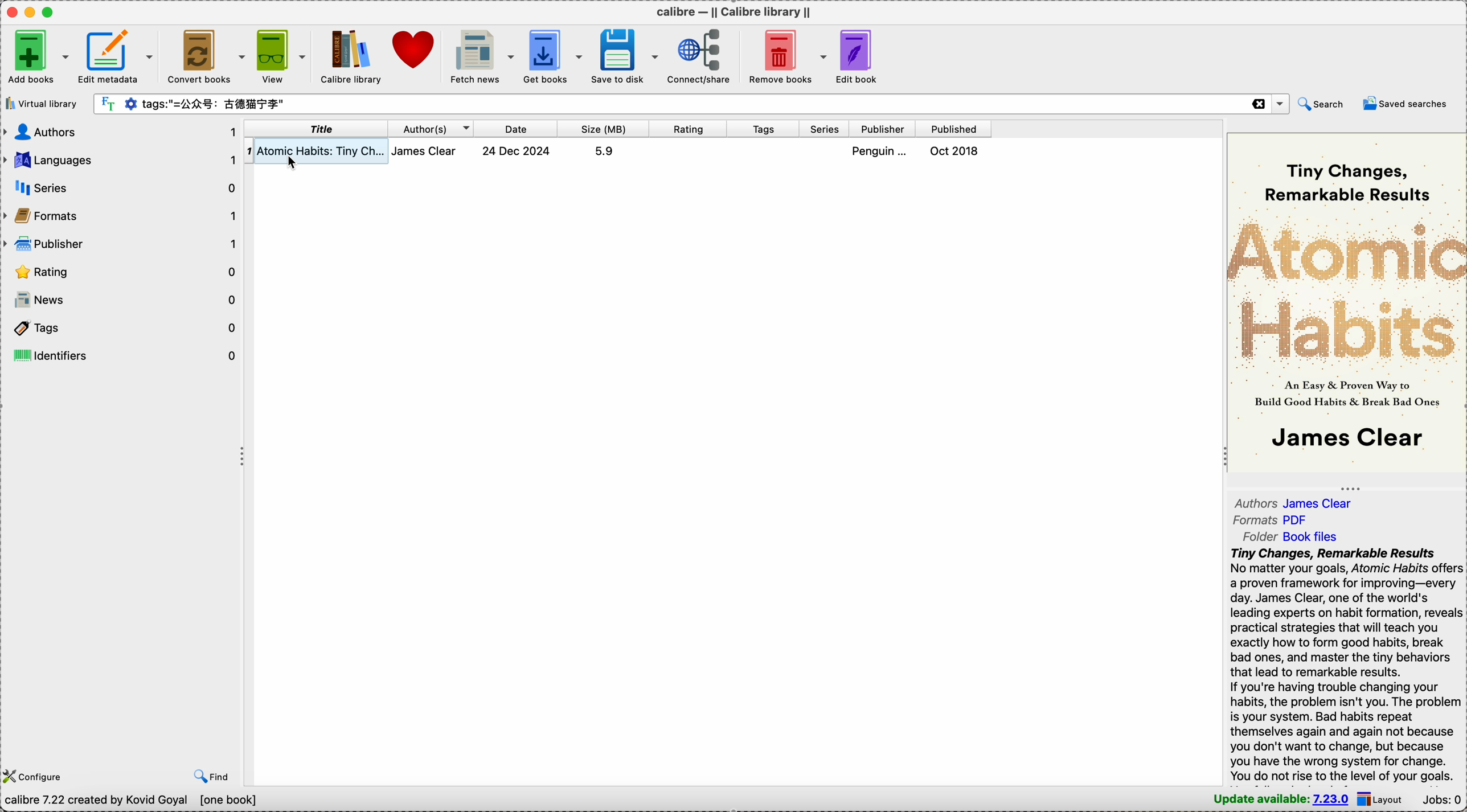 The width and height of the screenshot is (1467, 812). Describe the element at coordinates (415, 50) in the screenshot. I see `donate` at that location.